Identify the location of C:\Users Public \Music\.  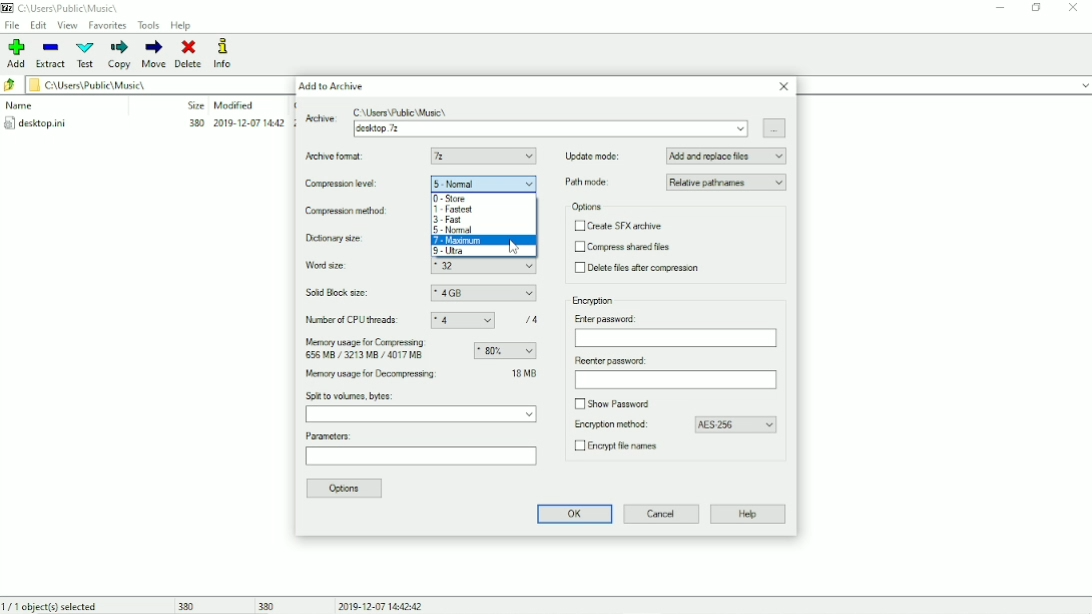
(402, 111).